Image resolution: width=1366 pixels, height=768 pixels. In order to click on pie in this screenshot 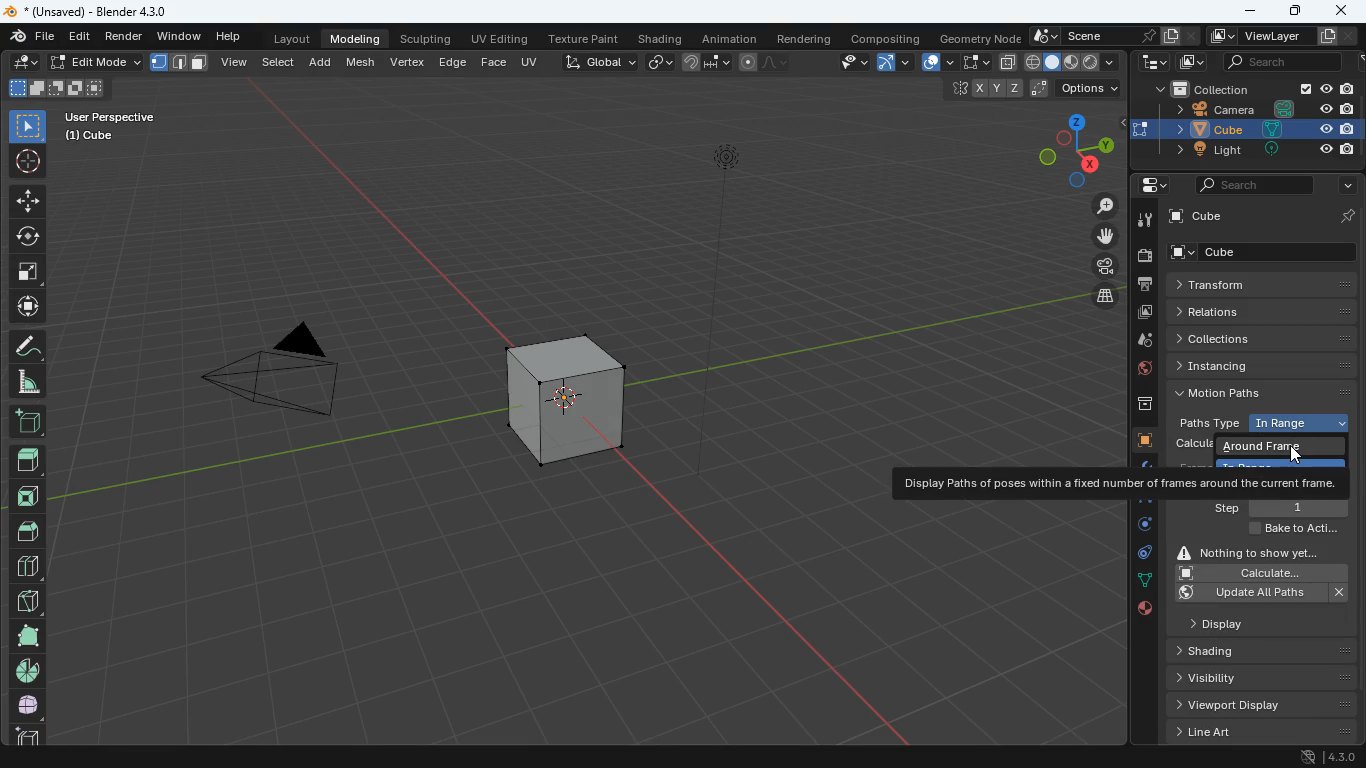, I will do `click(26, 670)`.